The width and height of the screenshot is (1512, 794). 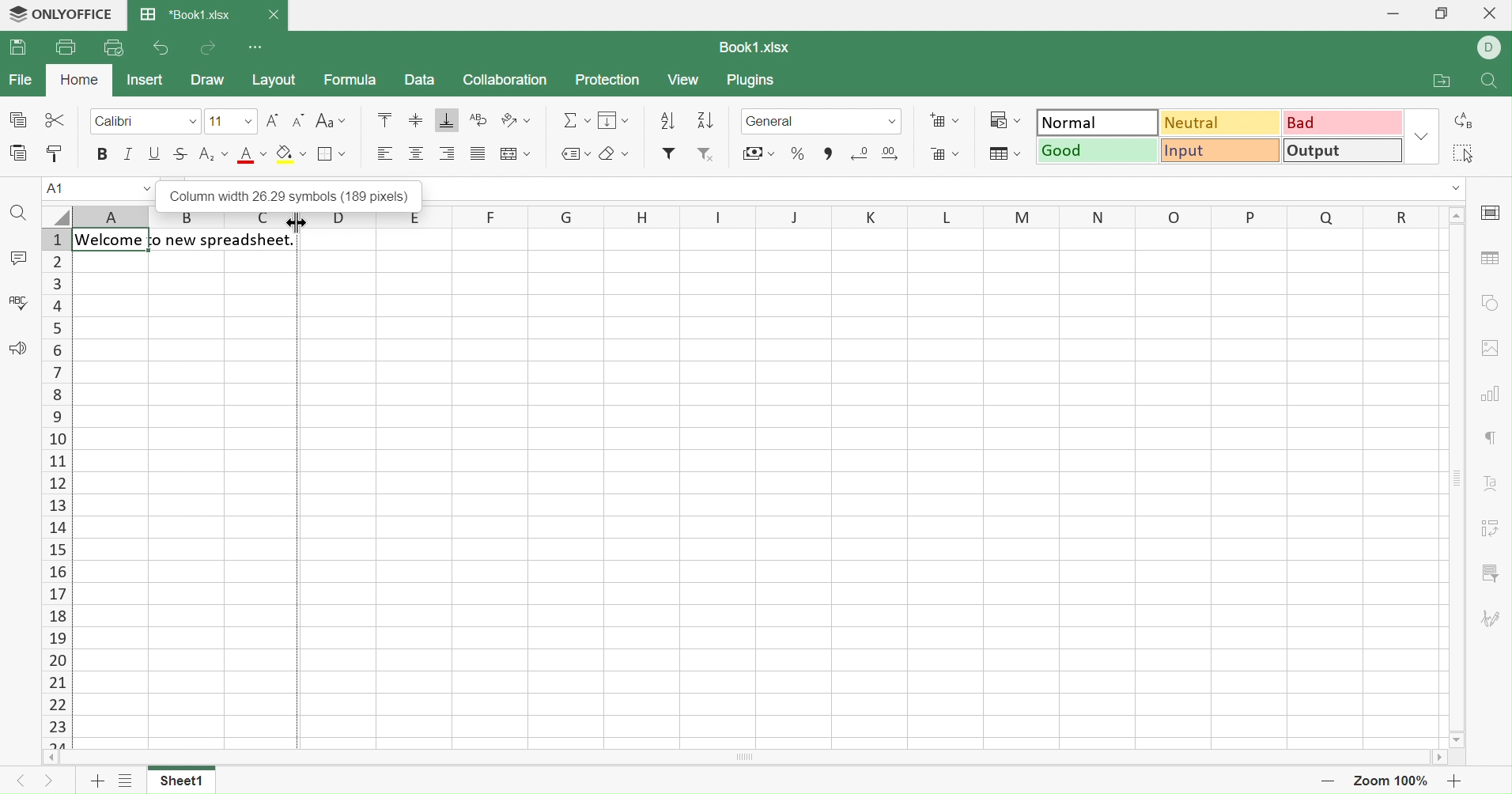 I want to click on table settings, so click(x=1488, y=258).